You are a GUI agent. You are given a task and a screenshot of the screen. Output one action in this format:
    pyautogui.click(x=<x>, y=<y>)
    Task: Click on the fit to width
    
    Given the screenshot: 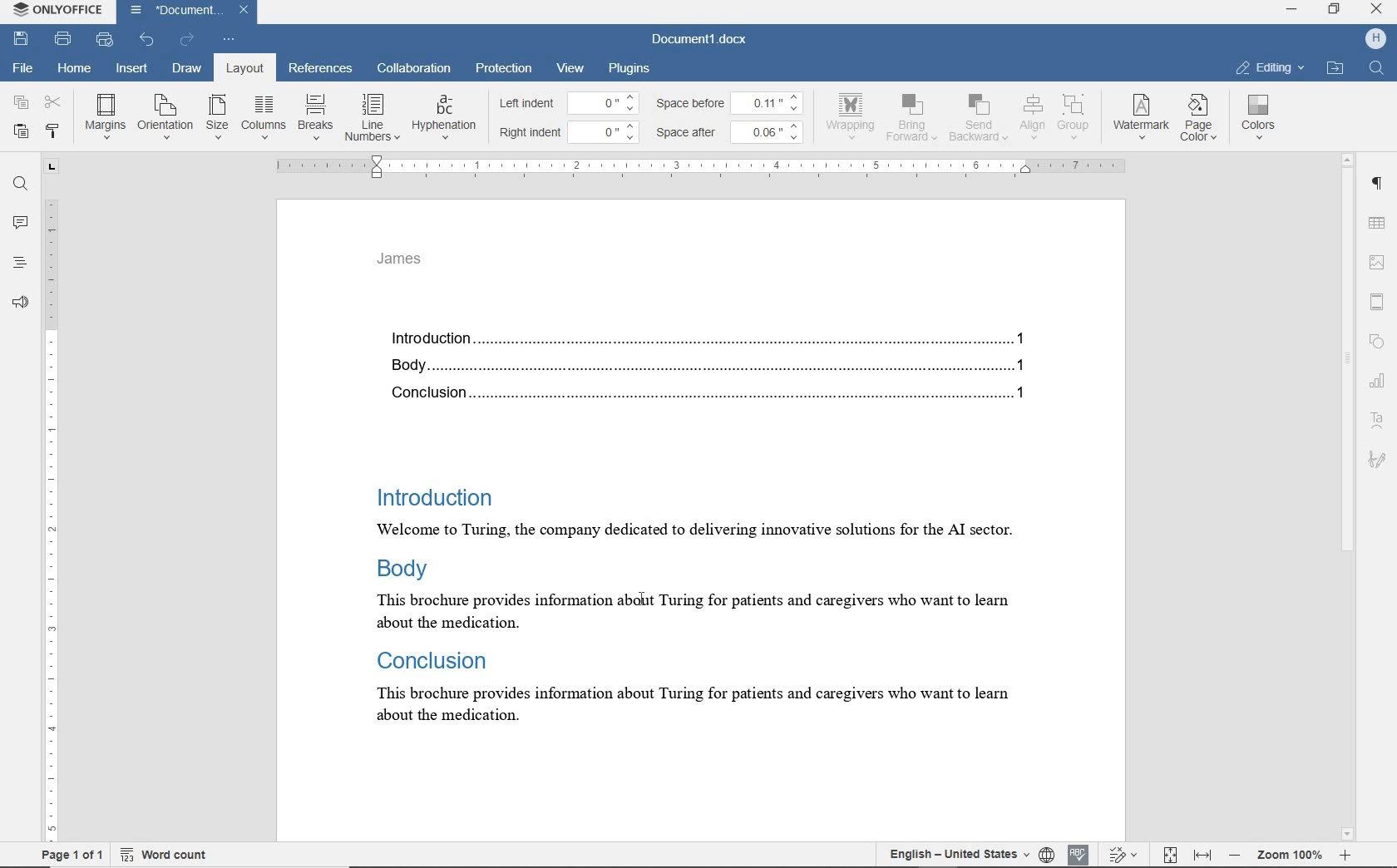 What is the action you would take?
    pyautogui.click(x=1203, y=854)
    